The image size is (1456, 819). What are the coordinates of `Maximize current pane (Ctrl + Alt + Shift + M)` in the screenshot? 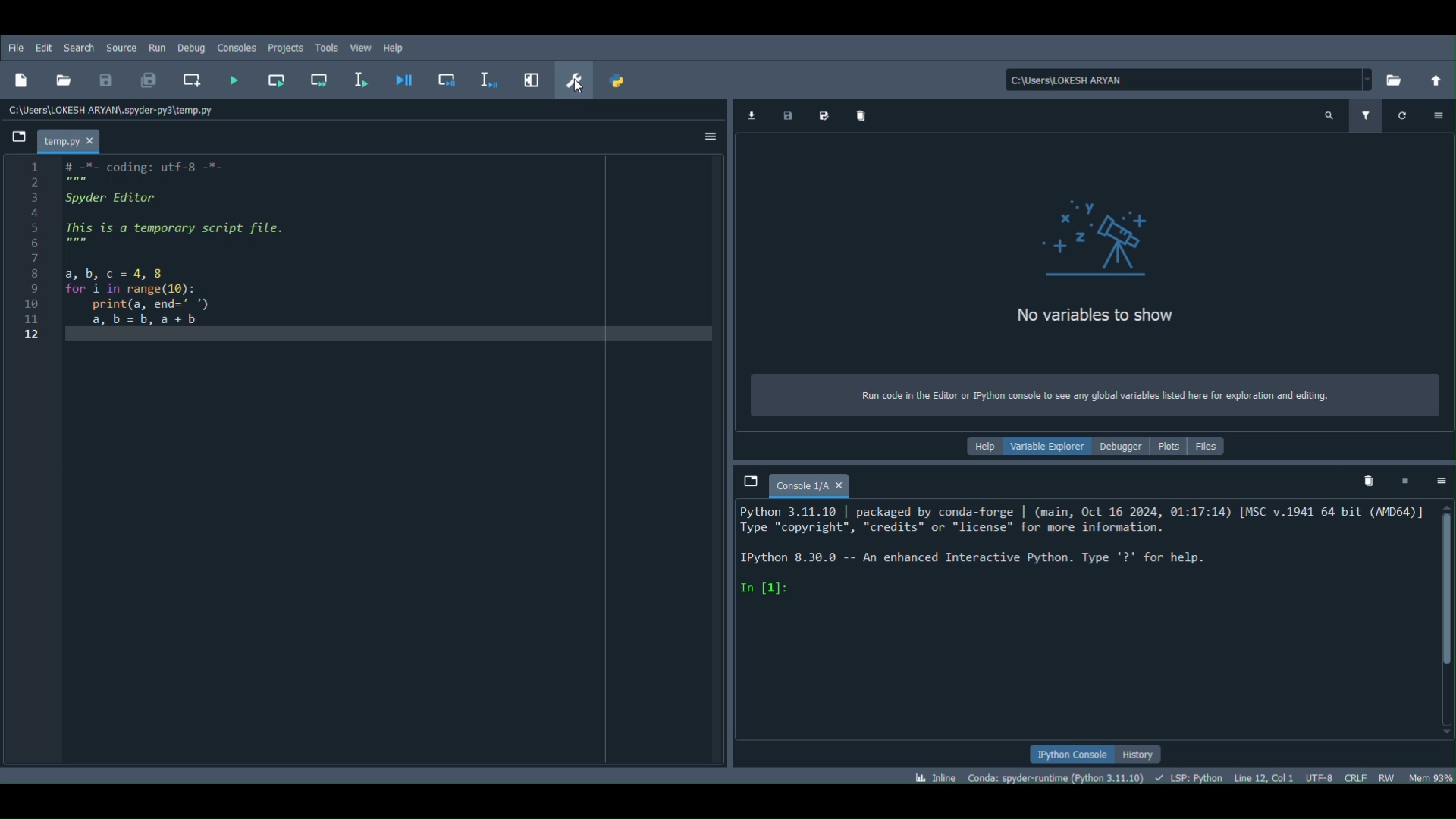 It's located at (531, 78).